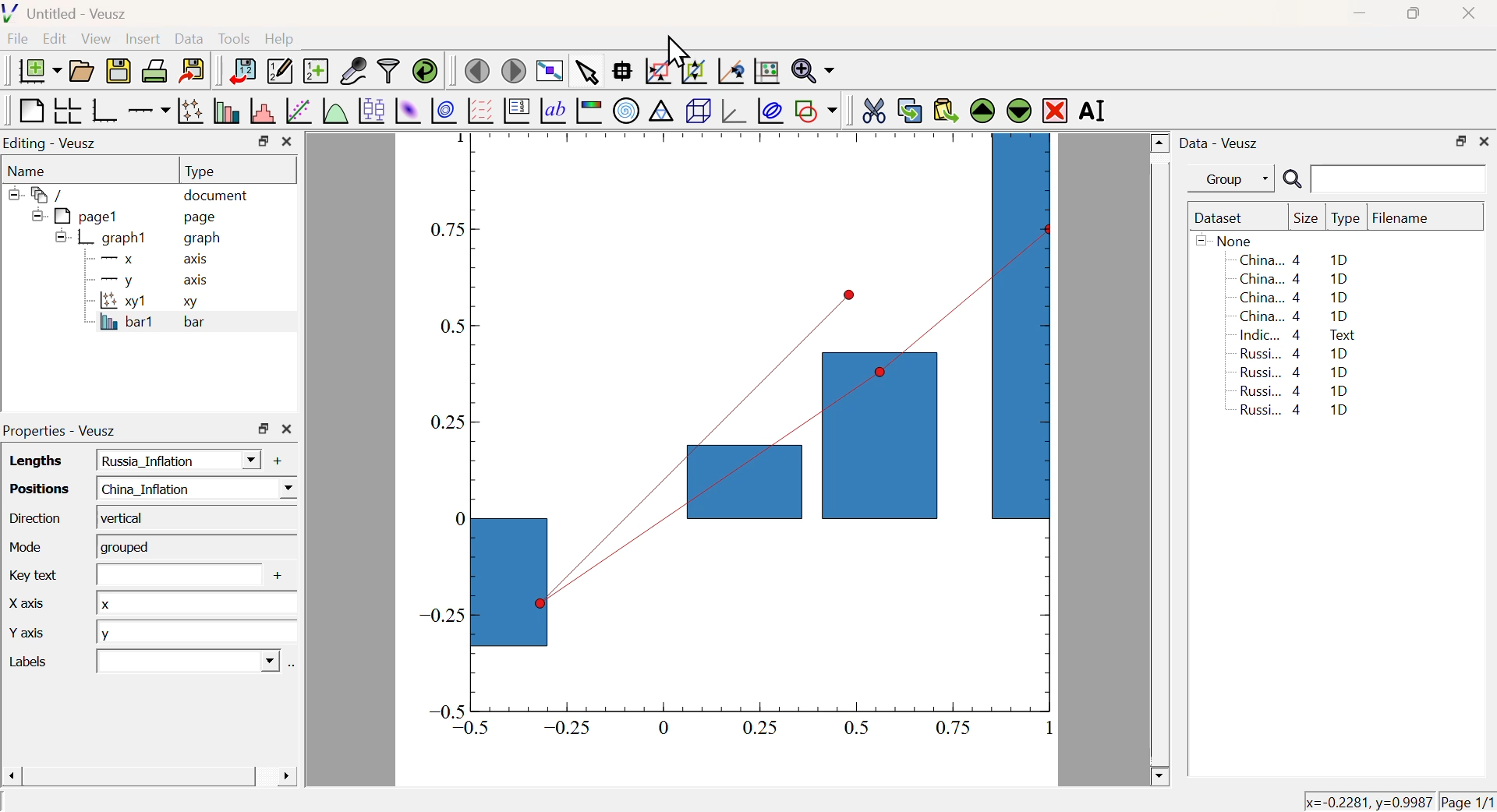  Describe the element at coordinates (30, 574) in the screenshot. I see `Key Text` at that location.